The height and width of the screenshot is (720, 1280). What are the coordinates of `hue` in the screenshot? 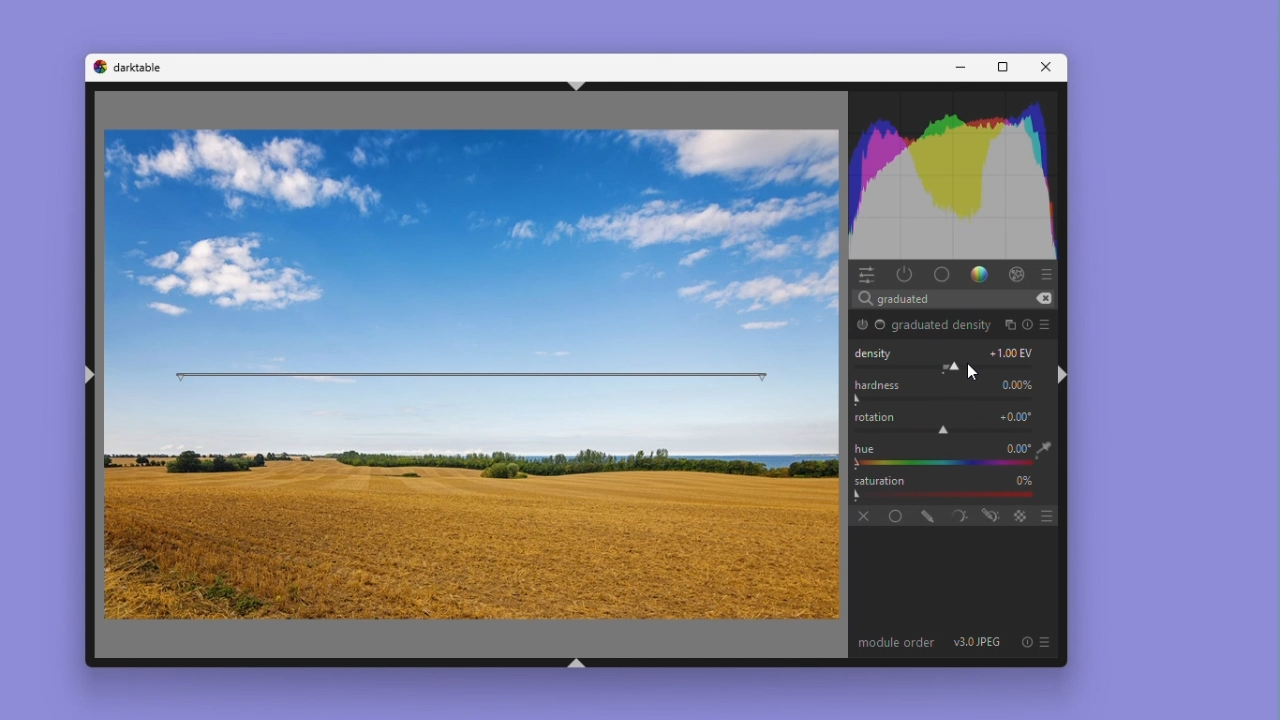 It's located at (865, 448).